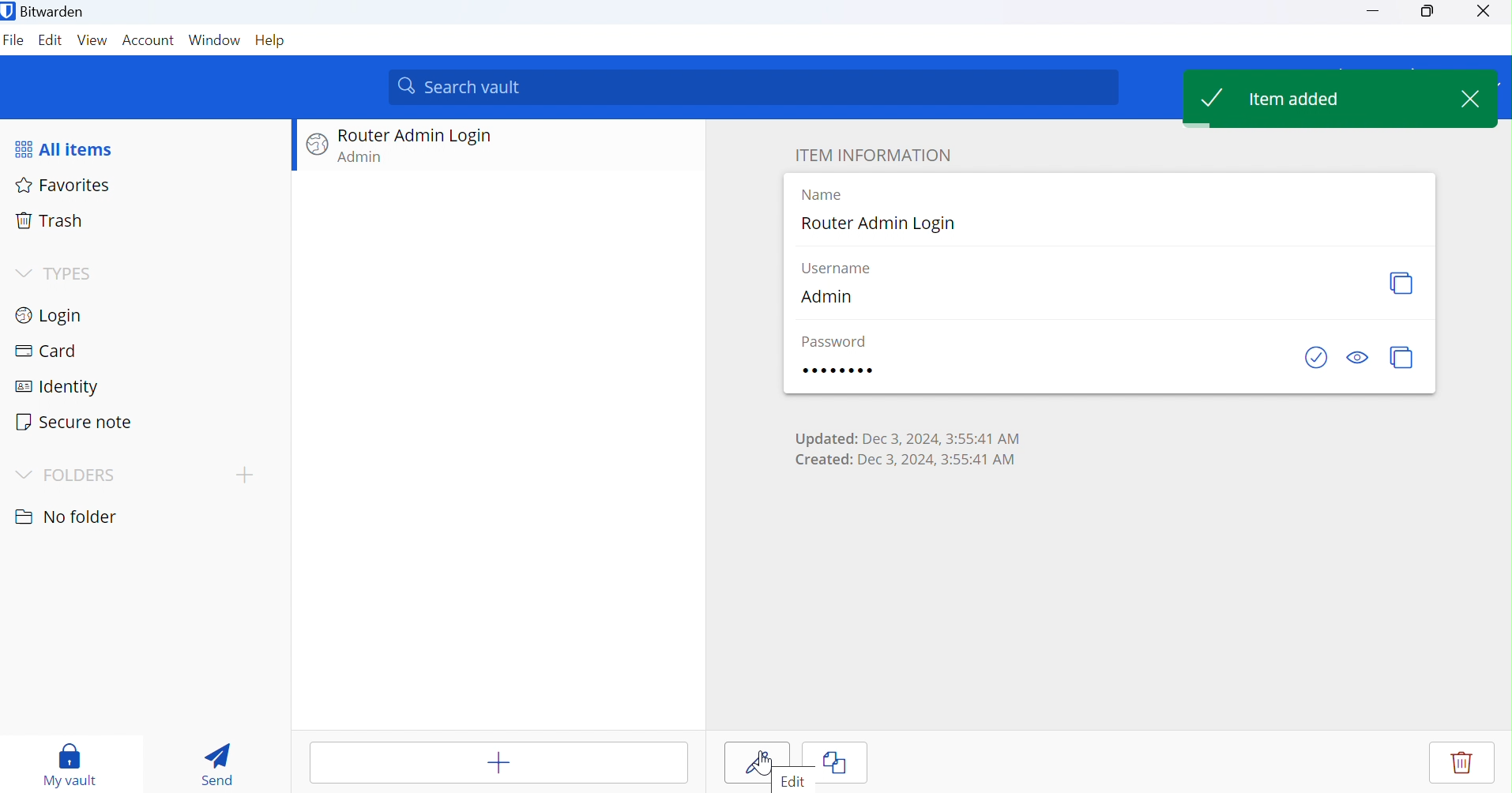 This screenshot has width=1512, height=793. Describe the element at coordinates (92, 43) in the screenshot. I see `View` at that location.